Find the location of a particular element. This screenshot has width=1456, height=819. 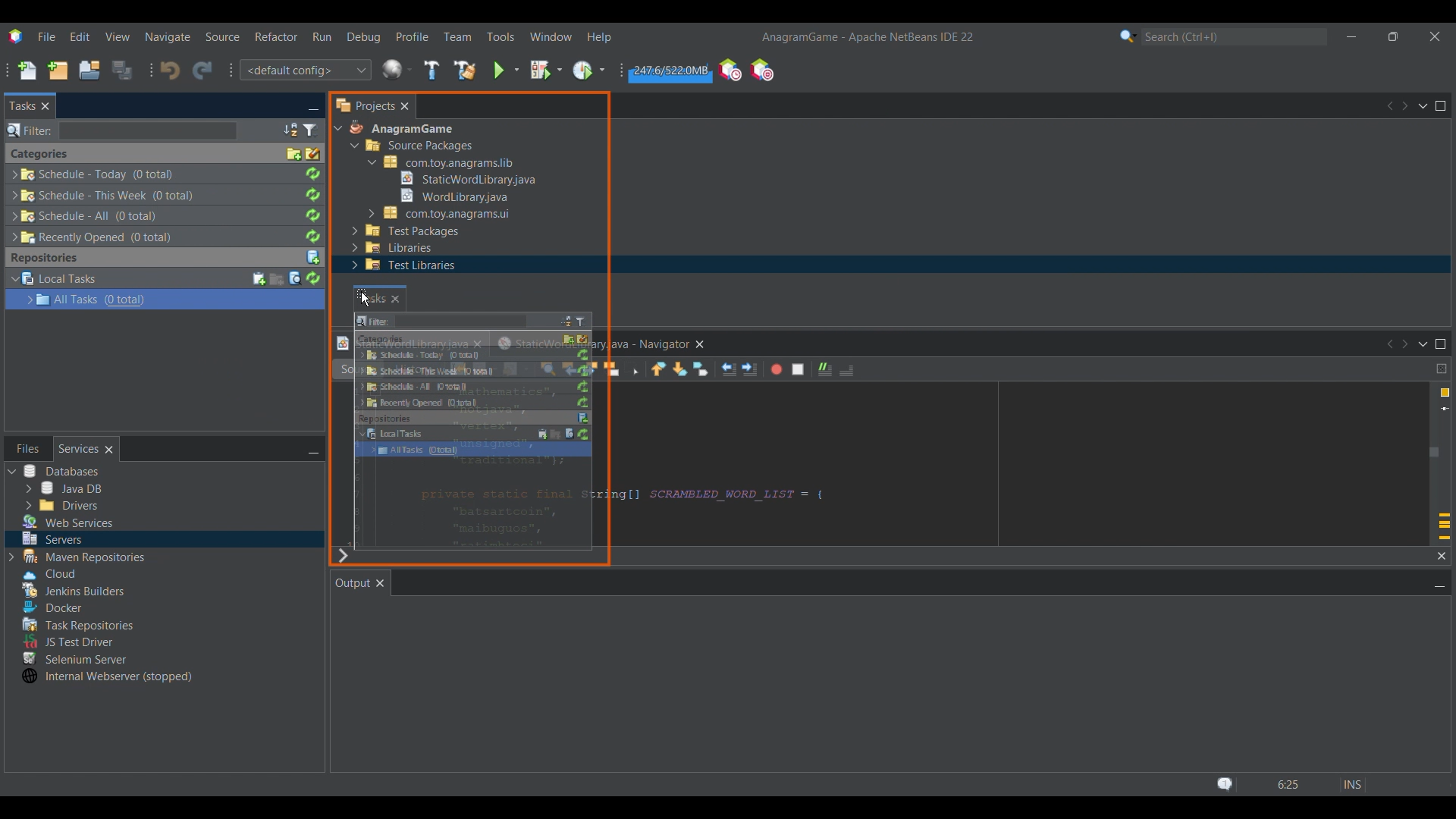

 is located at coordinates (76, 623).